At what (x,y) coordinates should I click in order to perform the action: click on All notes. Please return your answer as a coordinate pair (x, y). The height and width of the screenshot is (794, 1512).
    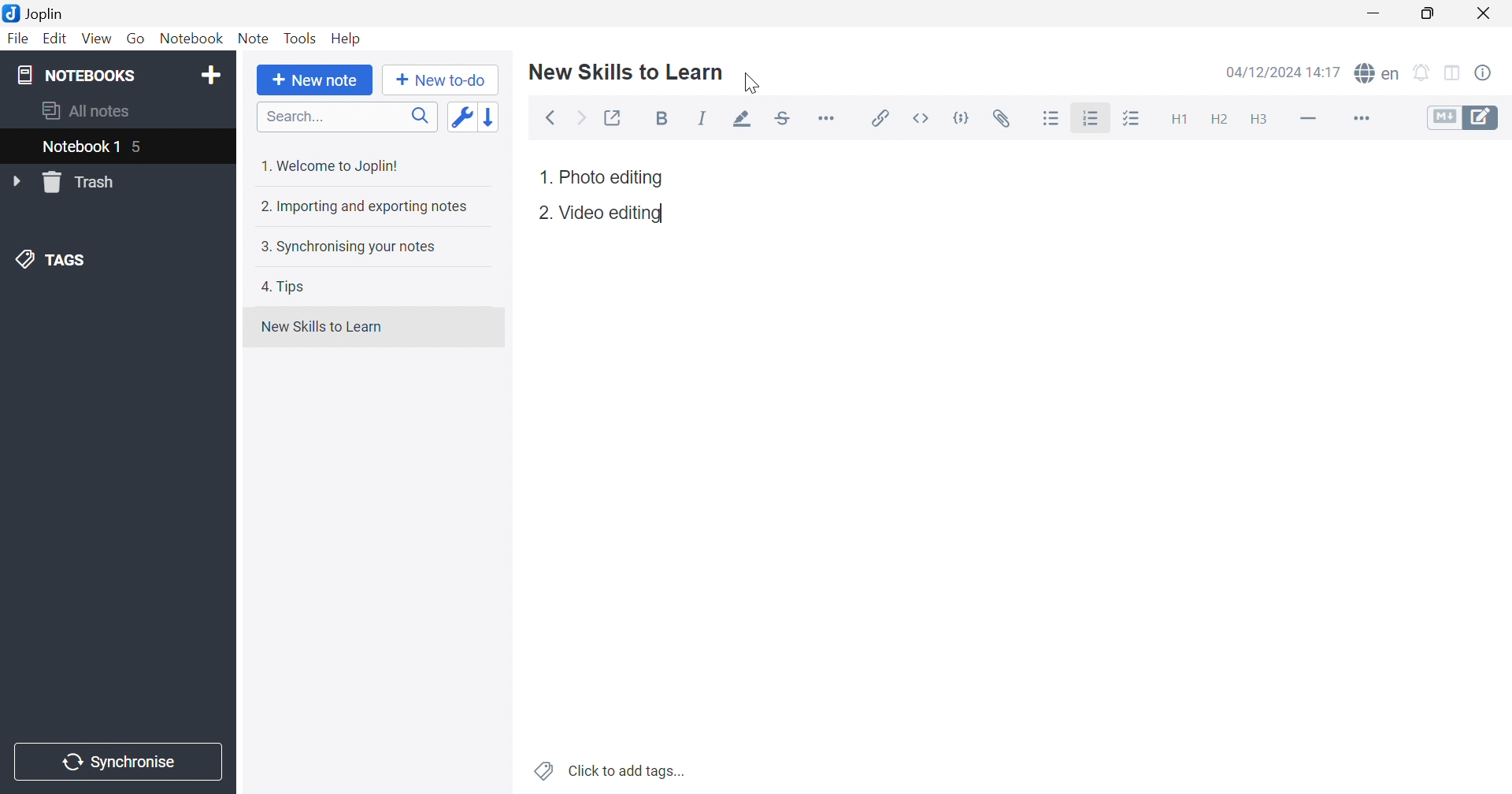
    Looking at the image, I should click on (87, 109).